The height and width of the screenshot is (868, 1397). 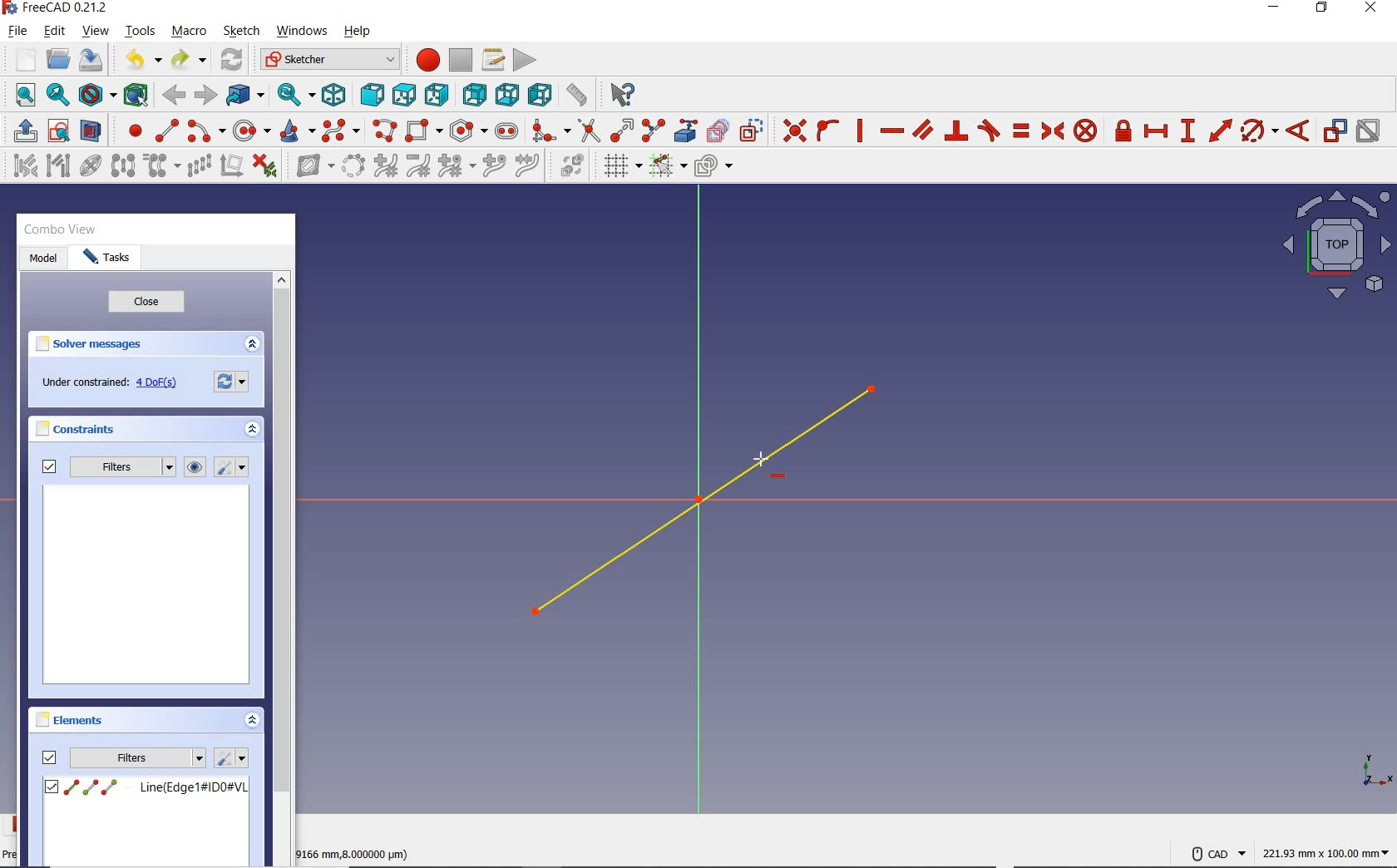 What do you see at coordinates (358, 32) in the screenshot?
I see `HELP` at bounding box center [358, 32].